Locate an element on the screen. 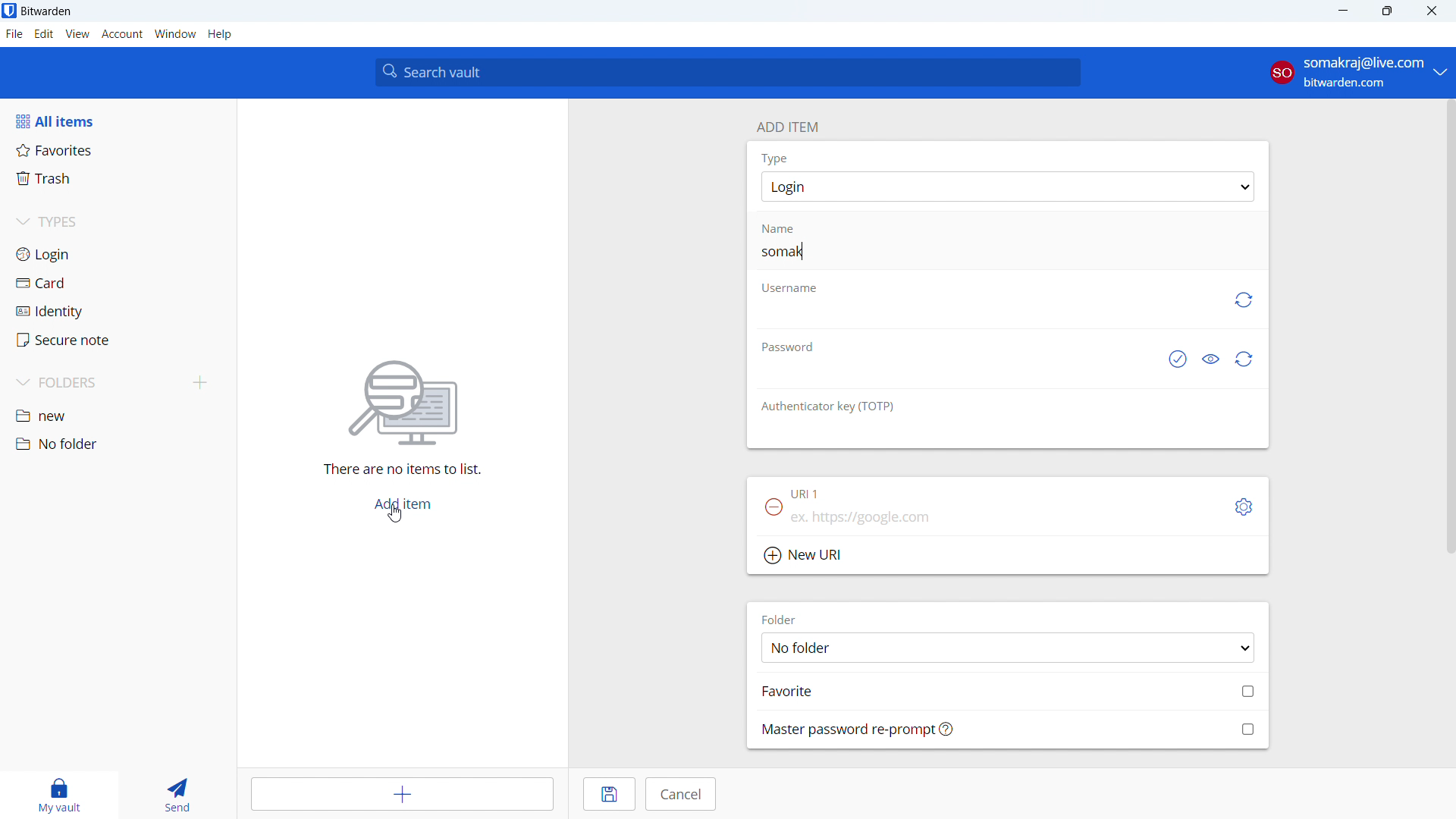 The width and height of the screenshot is (1456, 819). add new url is located at coordinates (1008, 557).